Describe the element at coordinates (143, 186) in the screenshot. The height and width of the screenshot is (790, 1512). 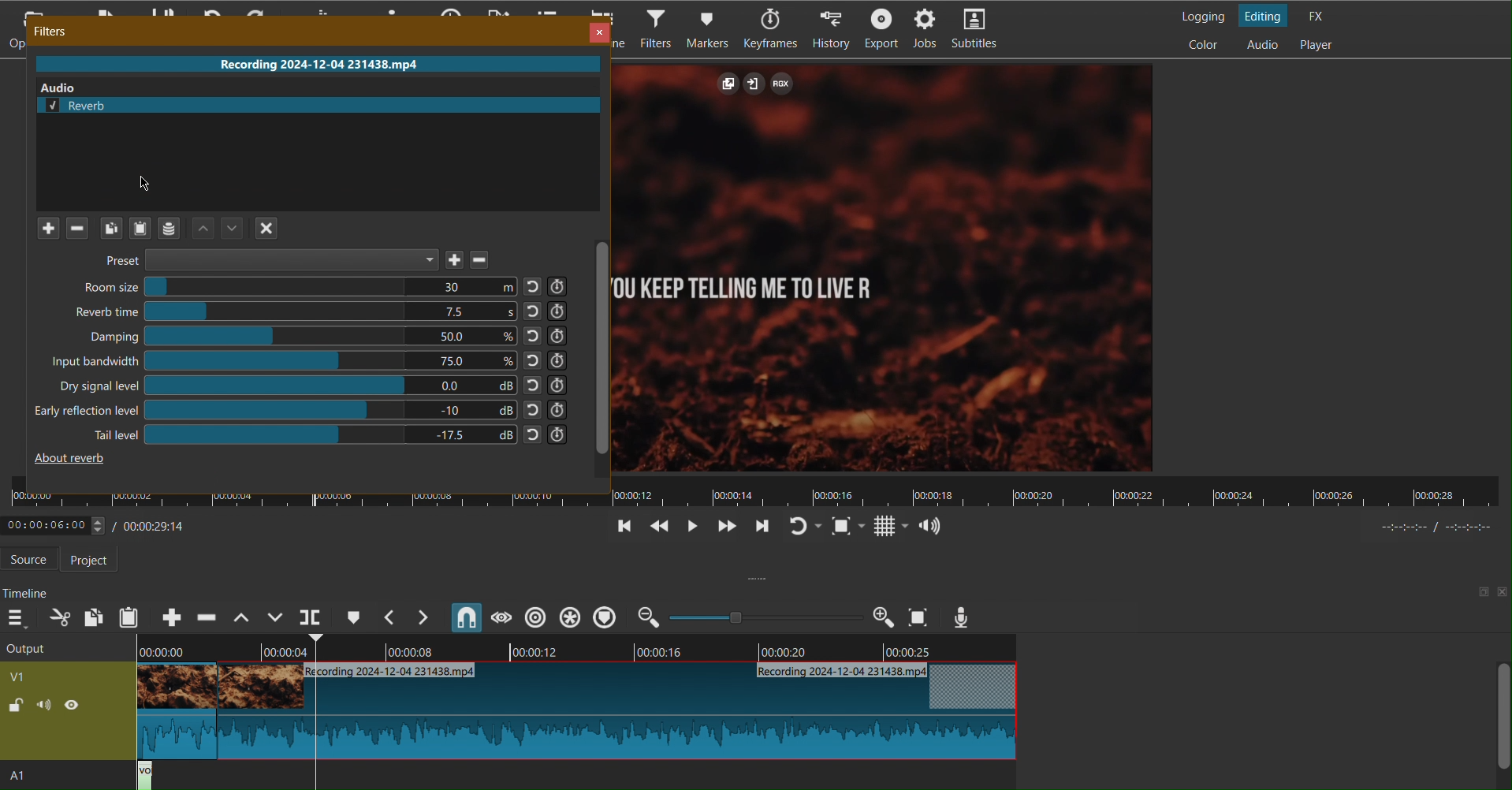
I see `Cursor` at that location.